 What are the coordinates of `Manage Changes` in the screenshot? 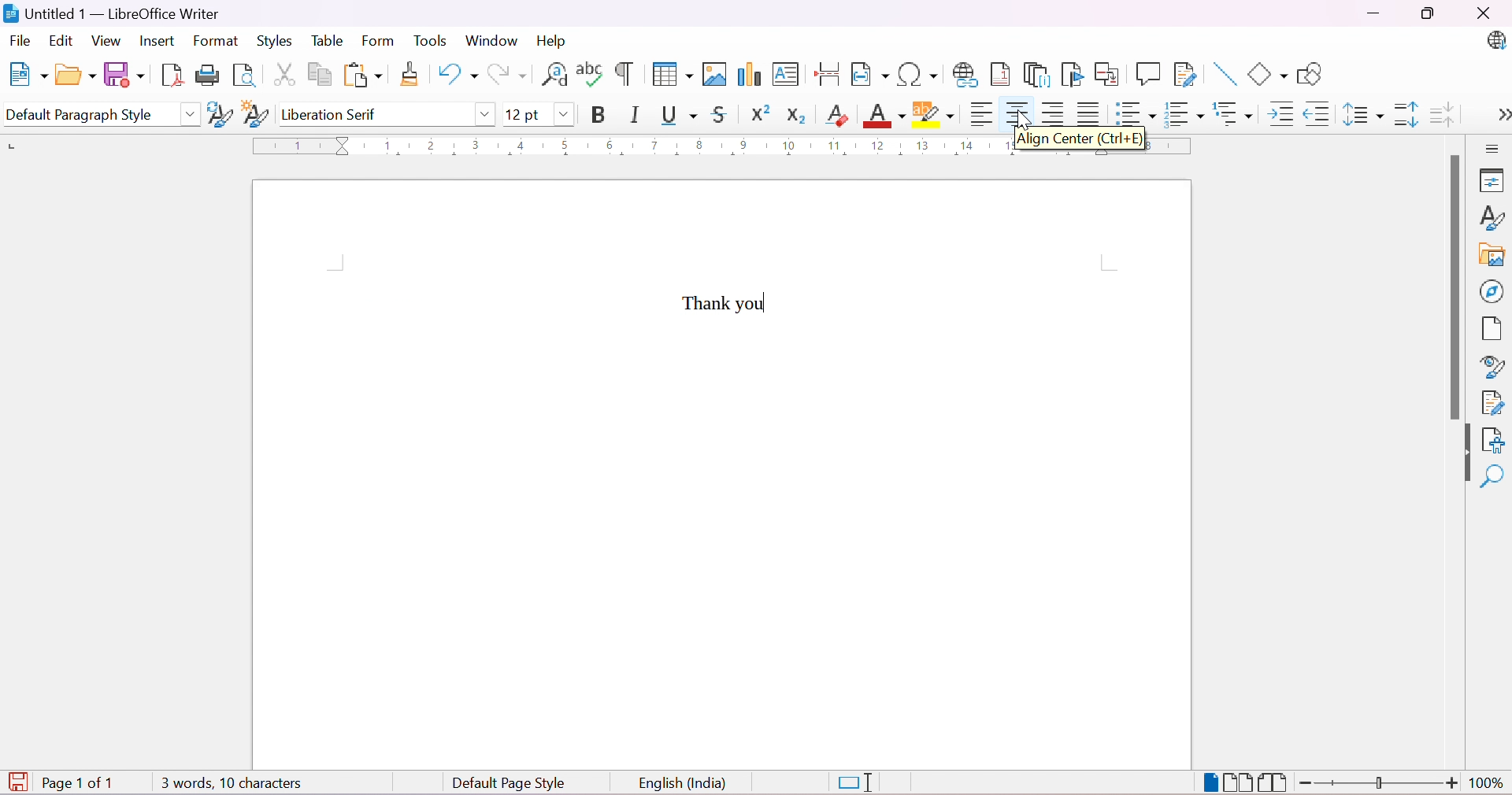 It's located at (1492, 403).